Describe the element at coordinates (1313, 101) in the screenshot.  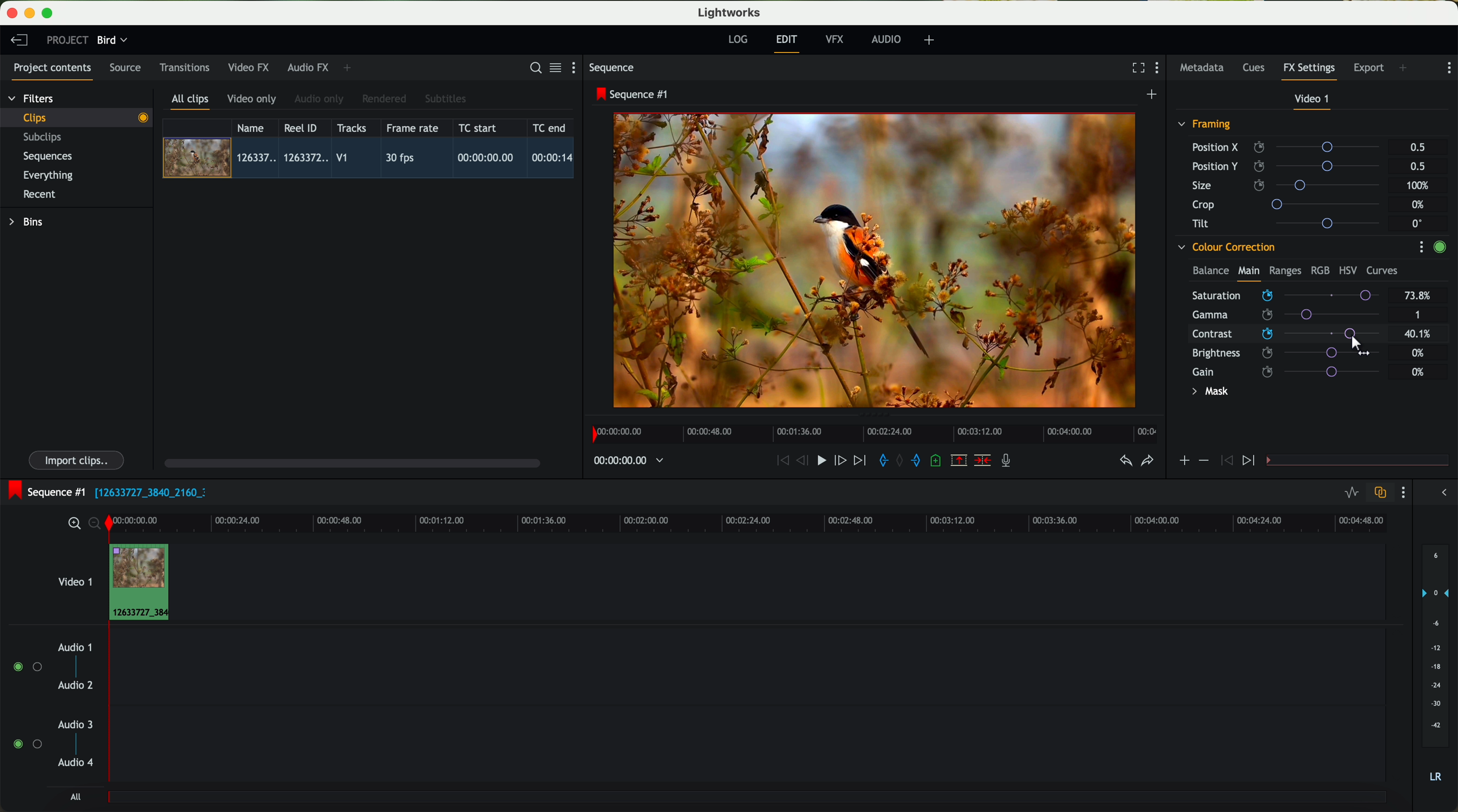
I see `video 1` at that location.